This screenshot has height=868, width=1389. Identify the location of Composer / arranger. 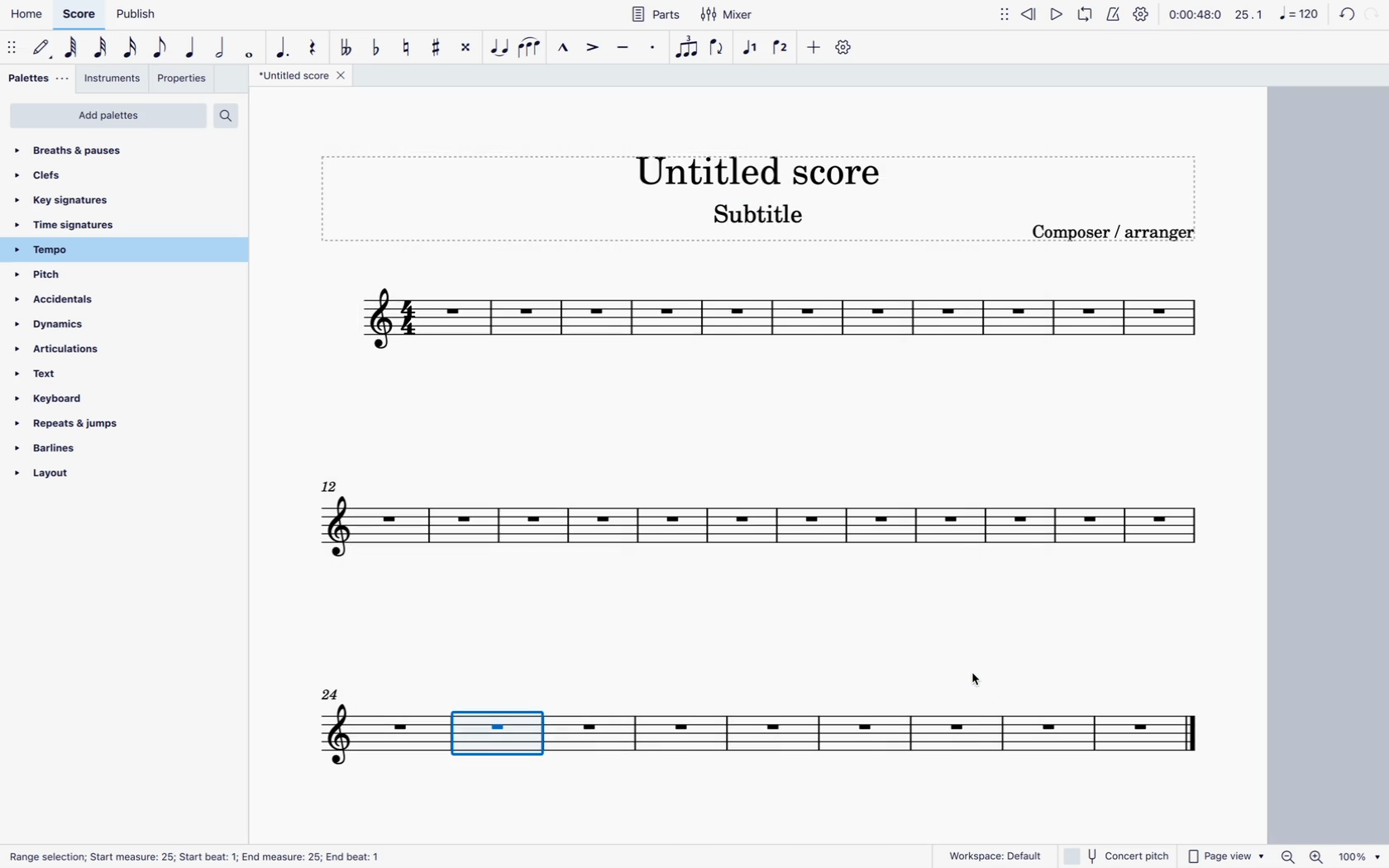
(1112, 231).